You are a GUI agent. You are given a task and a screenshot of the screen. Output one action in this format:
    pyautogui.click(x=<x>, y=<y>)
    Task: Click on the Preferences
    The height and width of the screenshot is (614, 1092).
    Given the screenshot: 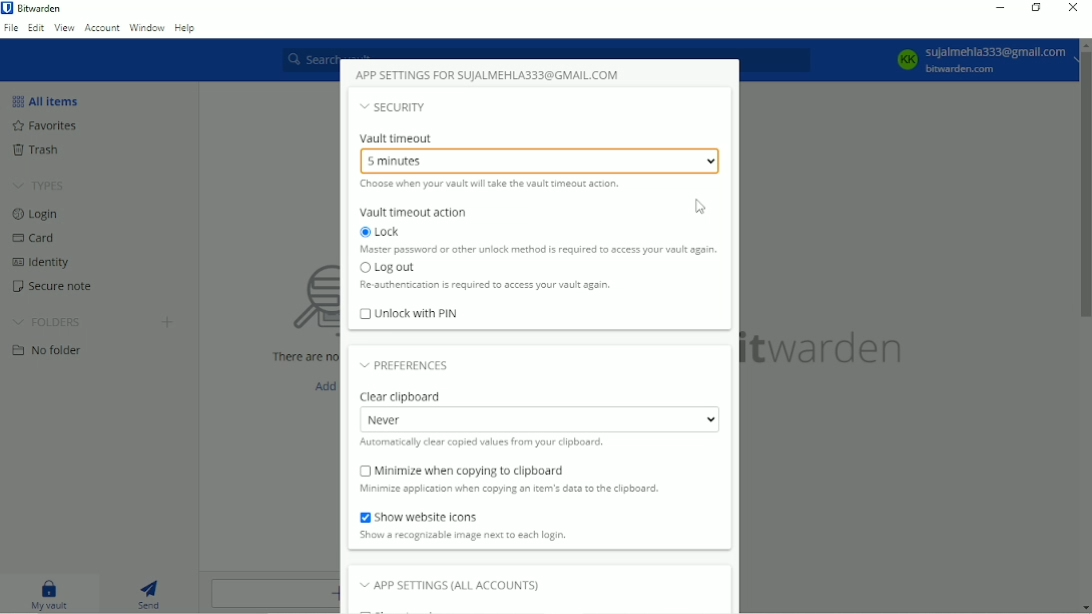 What is the action you would take?
    pyautogui.click(x=411, y=368)
    